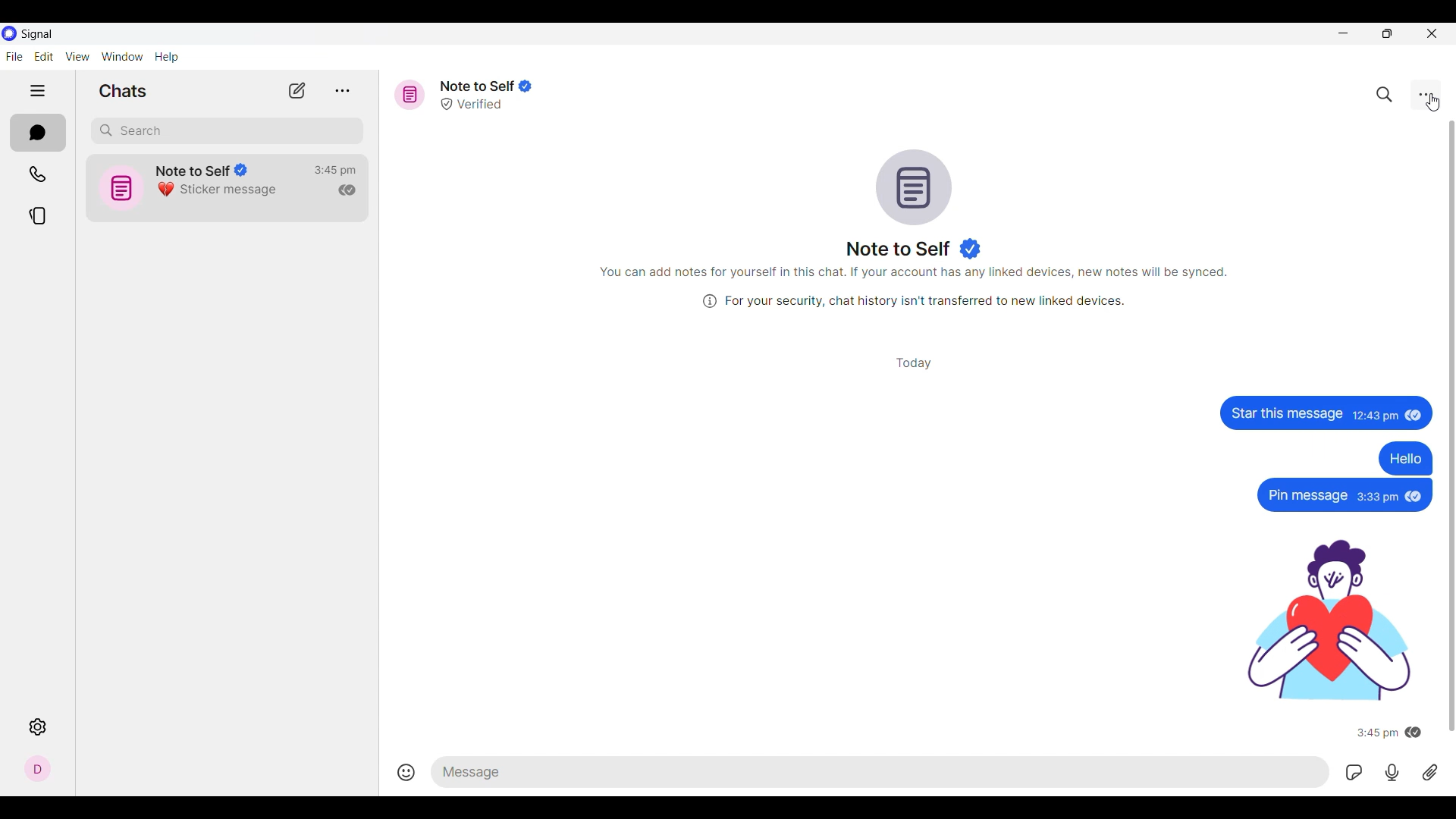 The width and height of the screenshot is (1456, 819). What do you see at coordinates (1376, 733) in the screenshot?
I see `3:45 pm` at bounding box center [1376, 733].